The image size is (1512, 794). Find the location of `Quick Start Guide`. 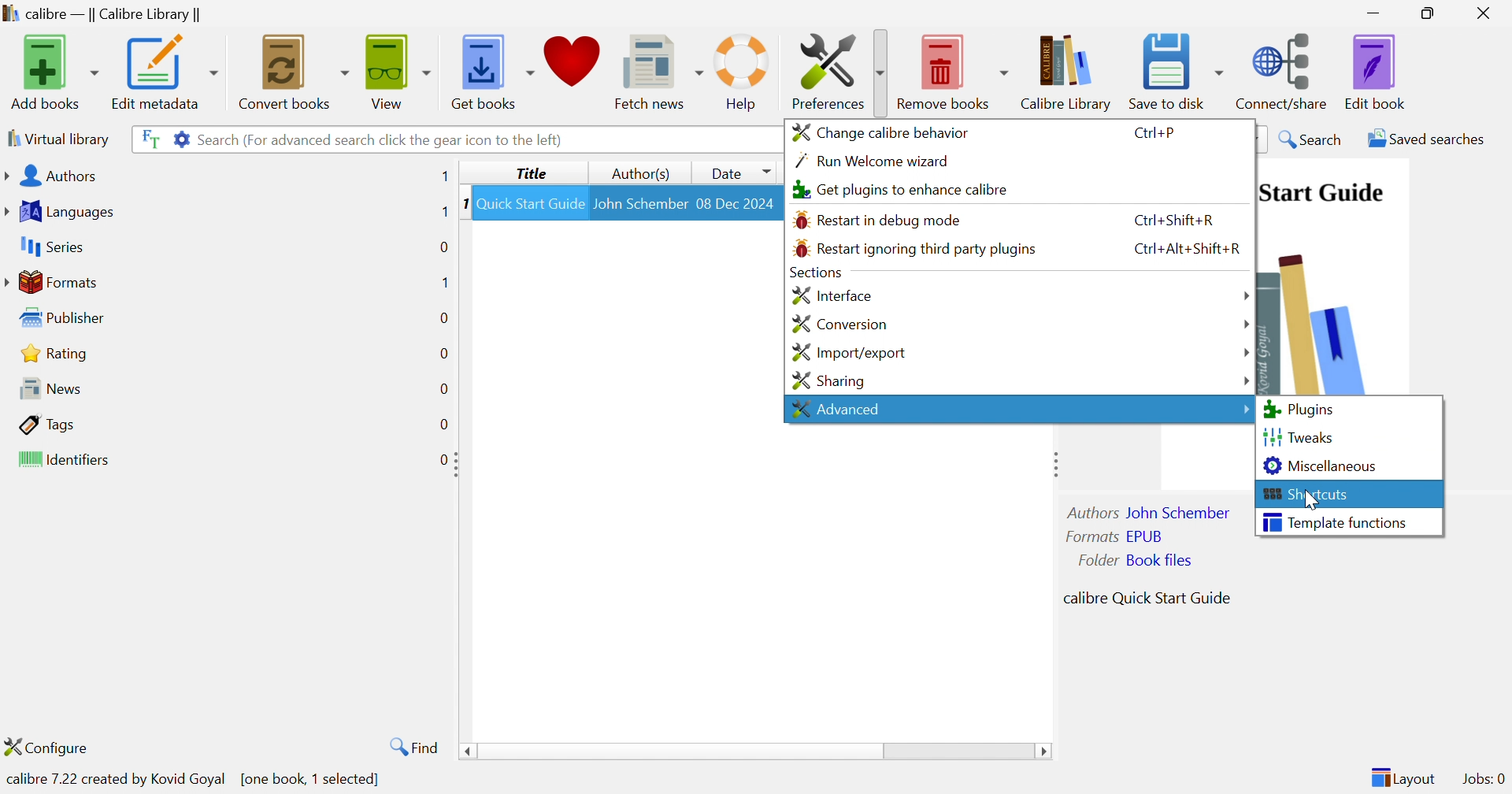

Quick Start Guide is located at coordinates (530, 203).